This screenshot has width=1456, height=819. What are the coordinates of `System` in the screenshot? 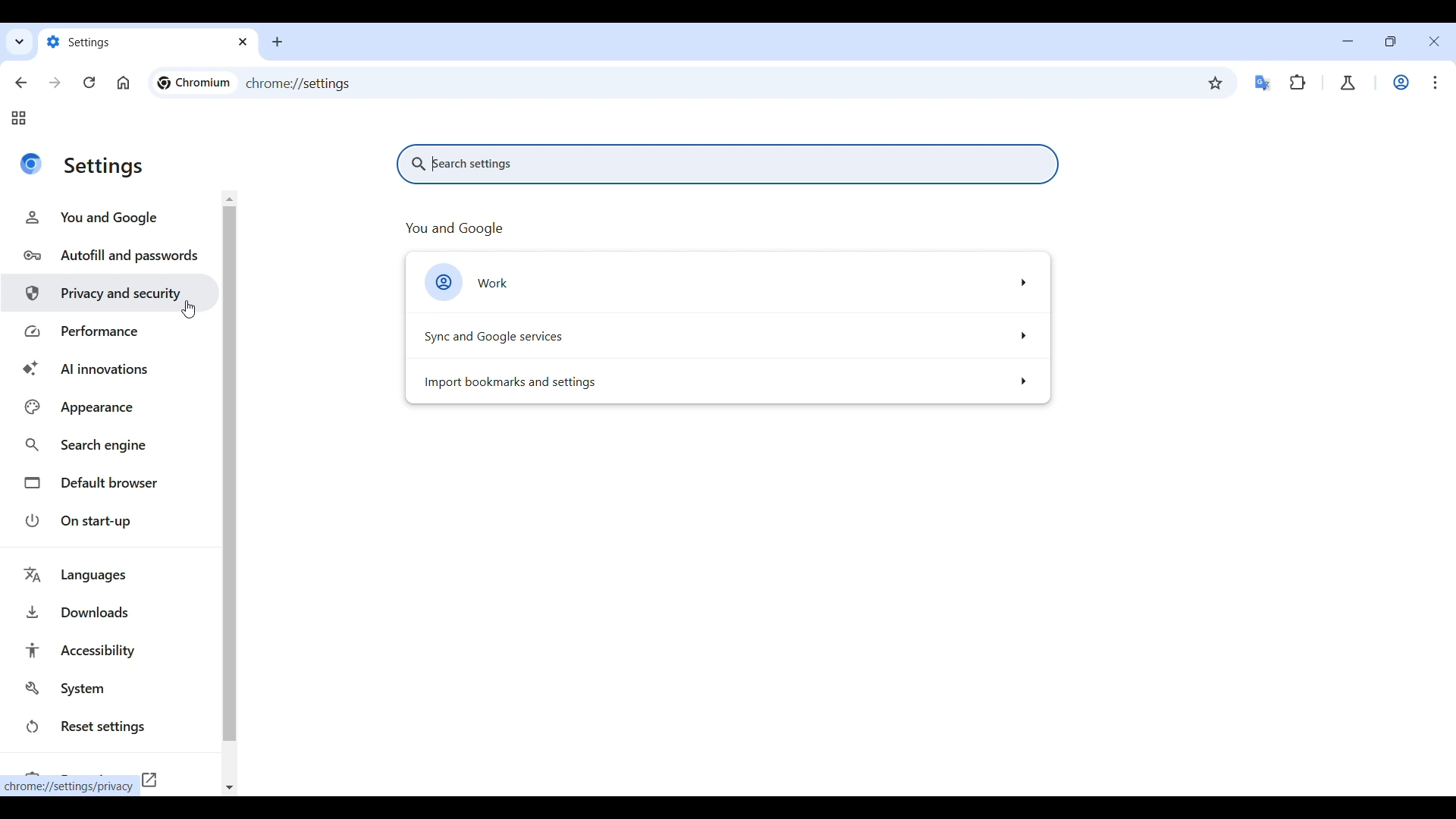 It's located at (112, 689).